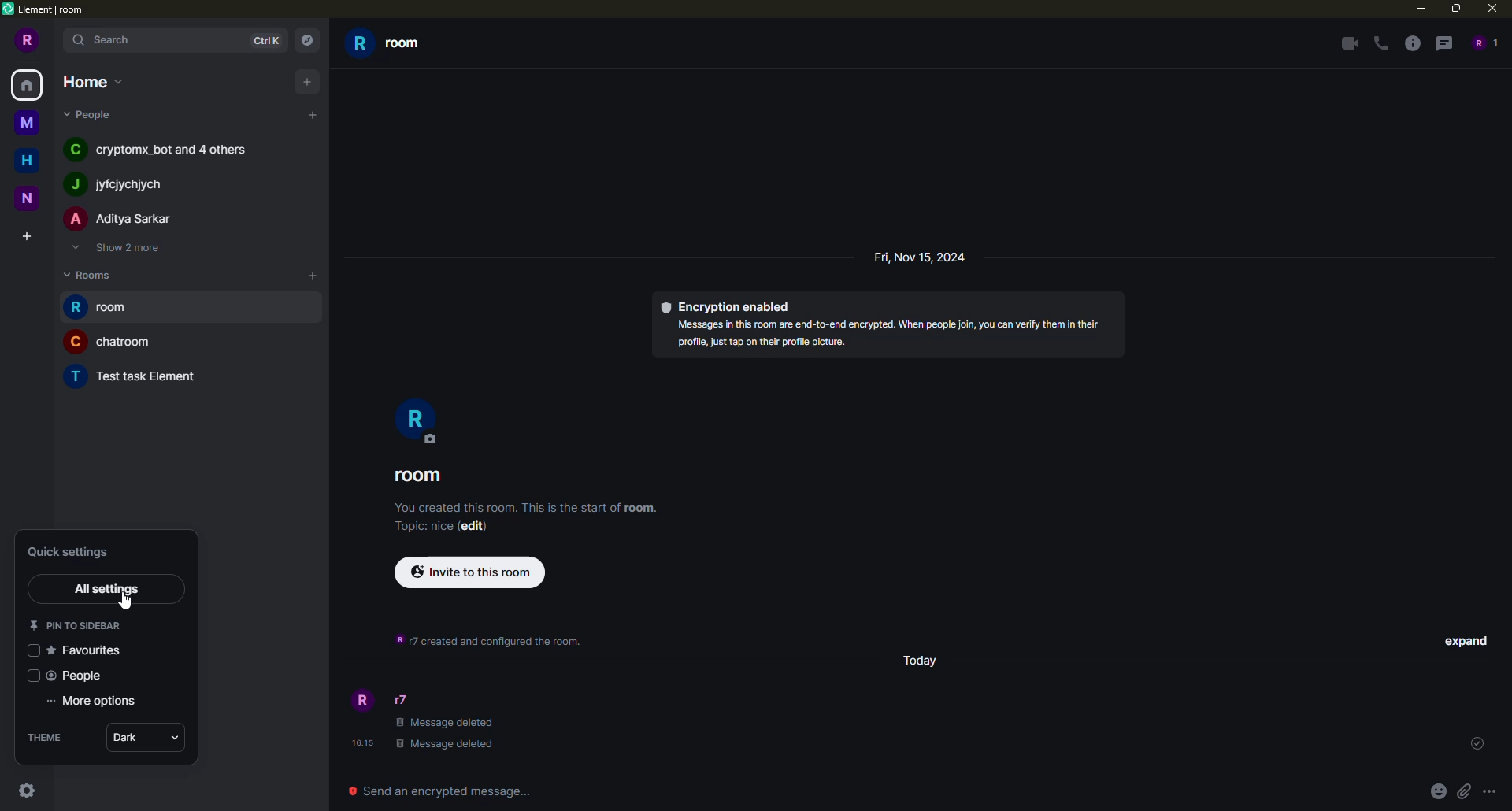  I want to click on emoji, so click(1438, 791).